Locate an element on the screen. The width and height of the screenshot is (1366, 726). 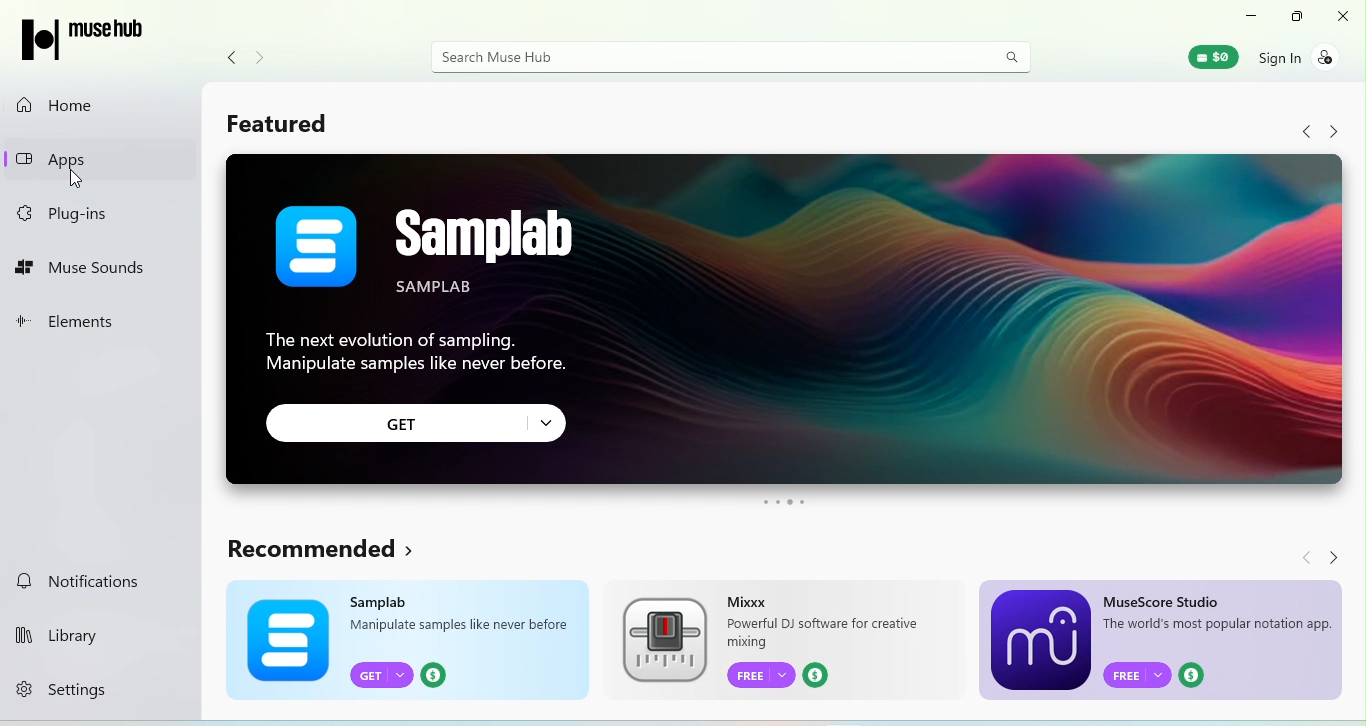
The next evolution of sampling.
Manipulate samples like never before. is located at coordinates (414, 350).